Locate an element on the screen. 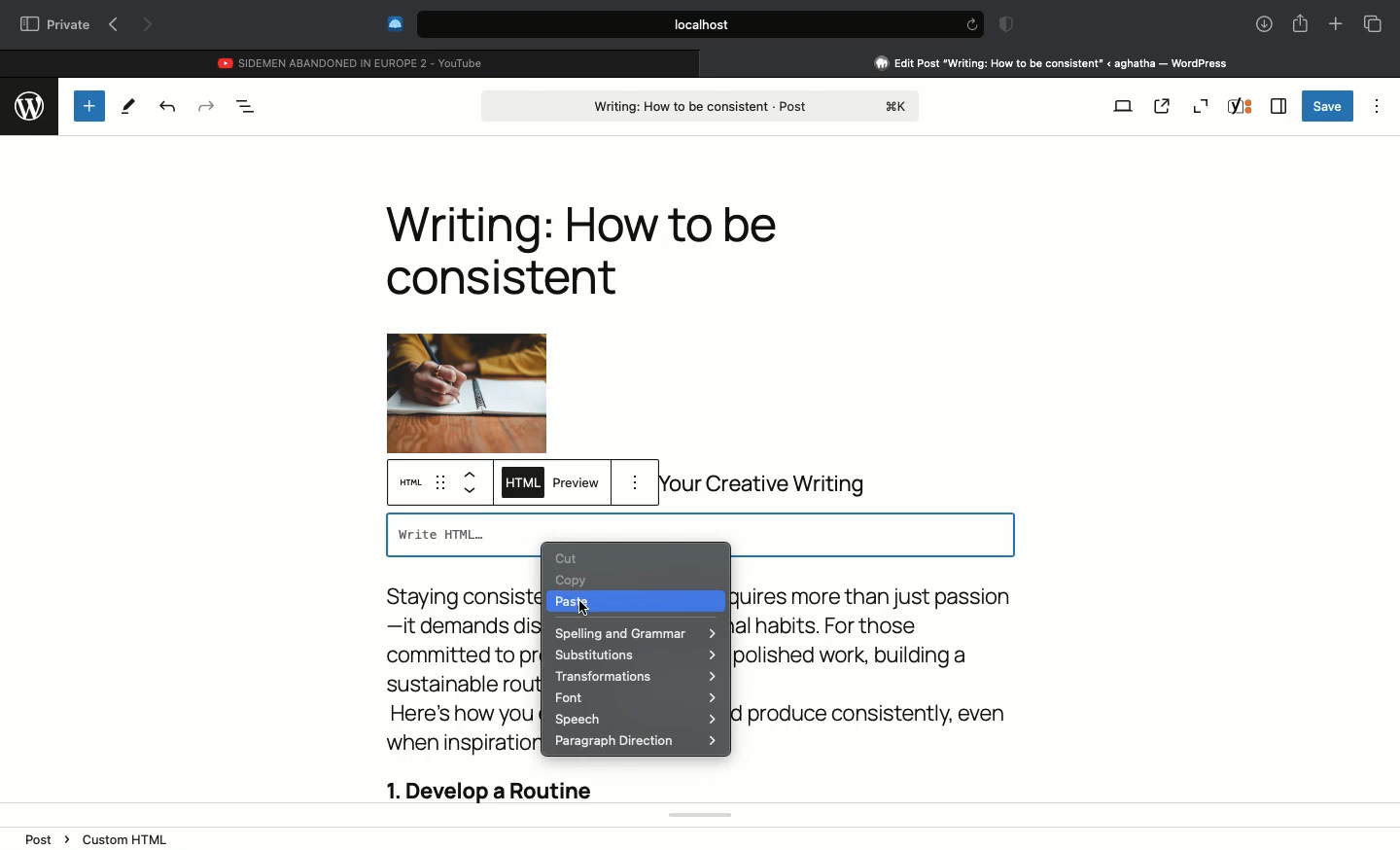 This screenshot has width=1400, height=850. Substitutions is located at coordinates (634, 655).